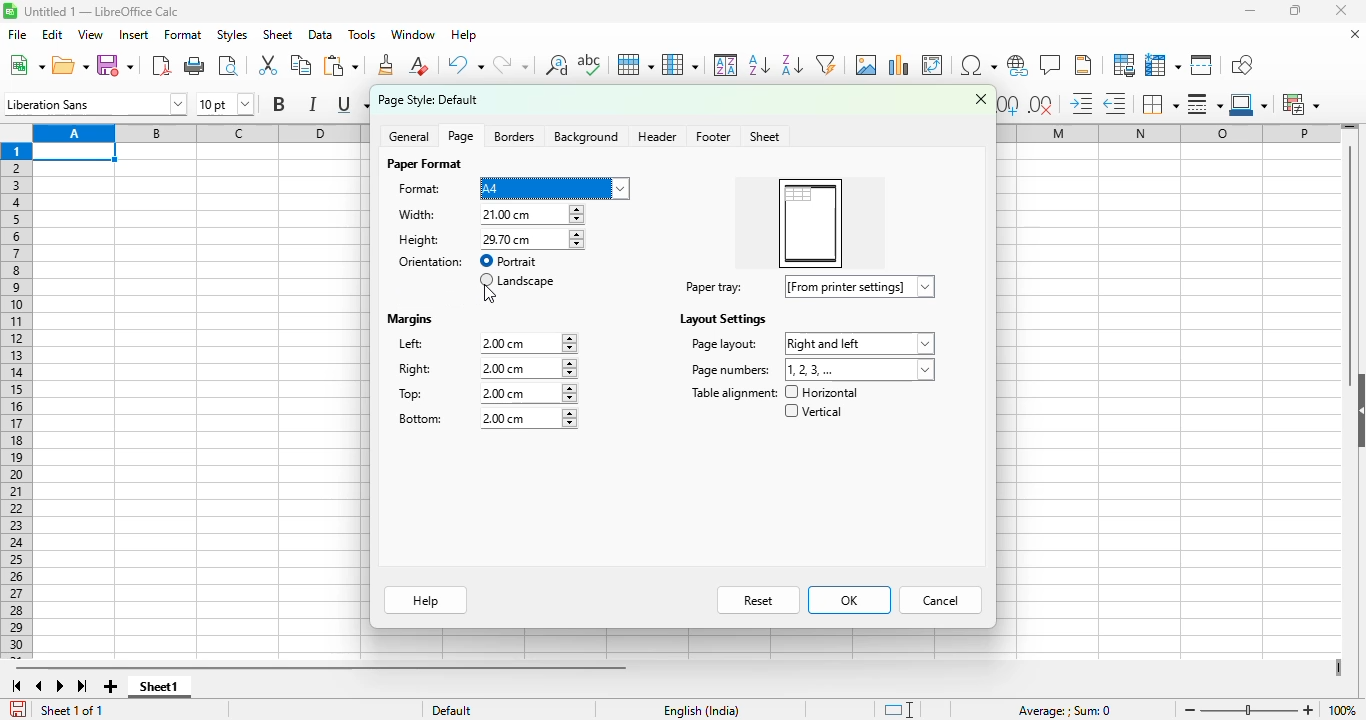 The image size is (1366, 720). What do you see at coordinates (636, 65) in the screenshot?
I see `row` at bounding box center [636, 65].